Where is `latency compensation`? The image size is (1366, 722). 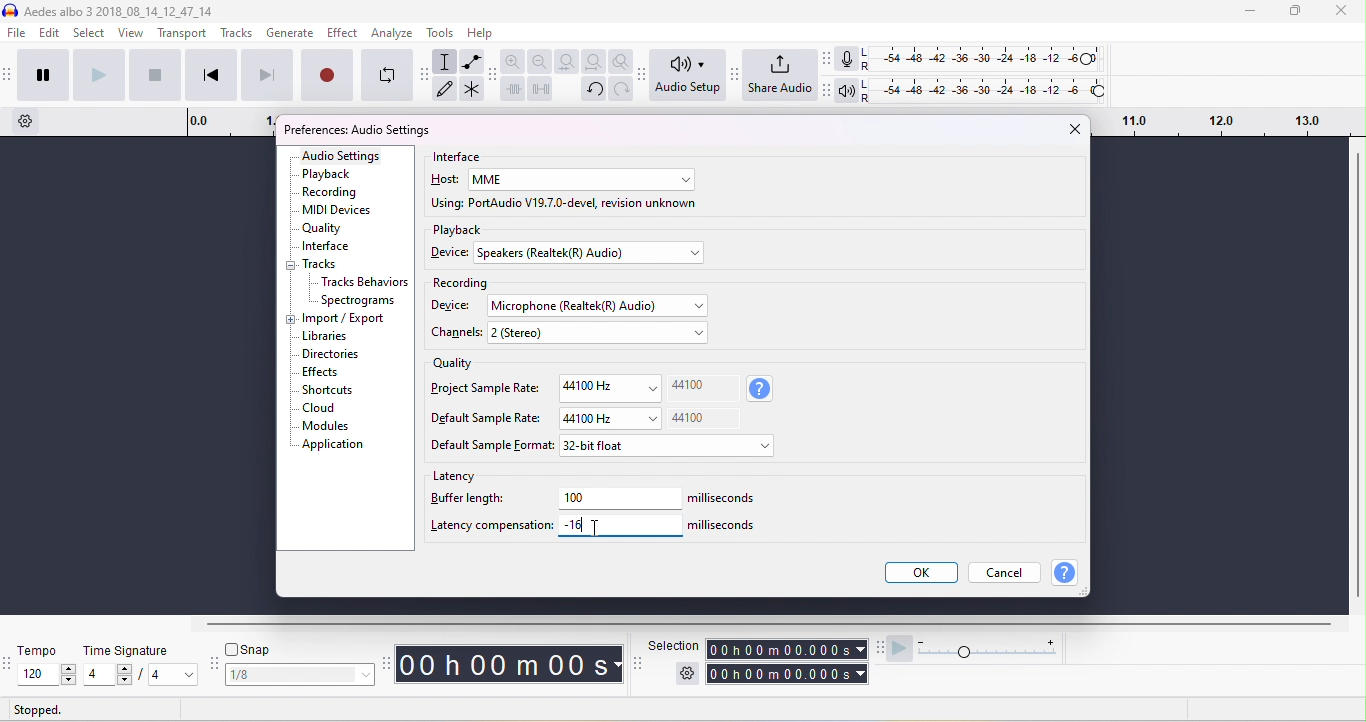 latency compensation is located at coordinates (491, 525).